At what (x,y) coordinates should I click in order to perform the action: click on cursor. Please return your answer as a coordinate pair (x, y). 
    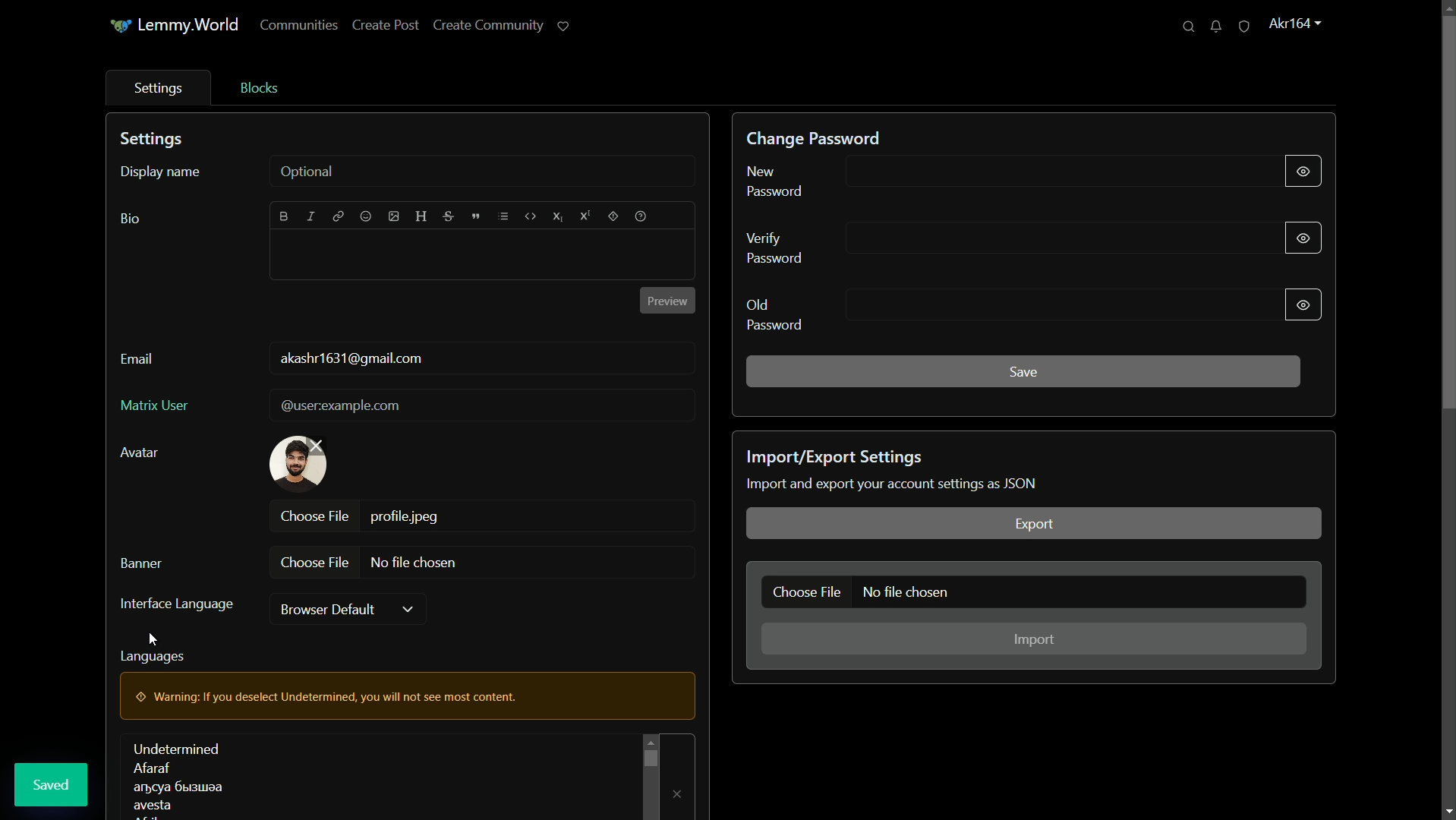
    Looking at the image, I should click on (156, 641).